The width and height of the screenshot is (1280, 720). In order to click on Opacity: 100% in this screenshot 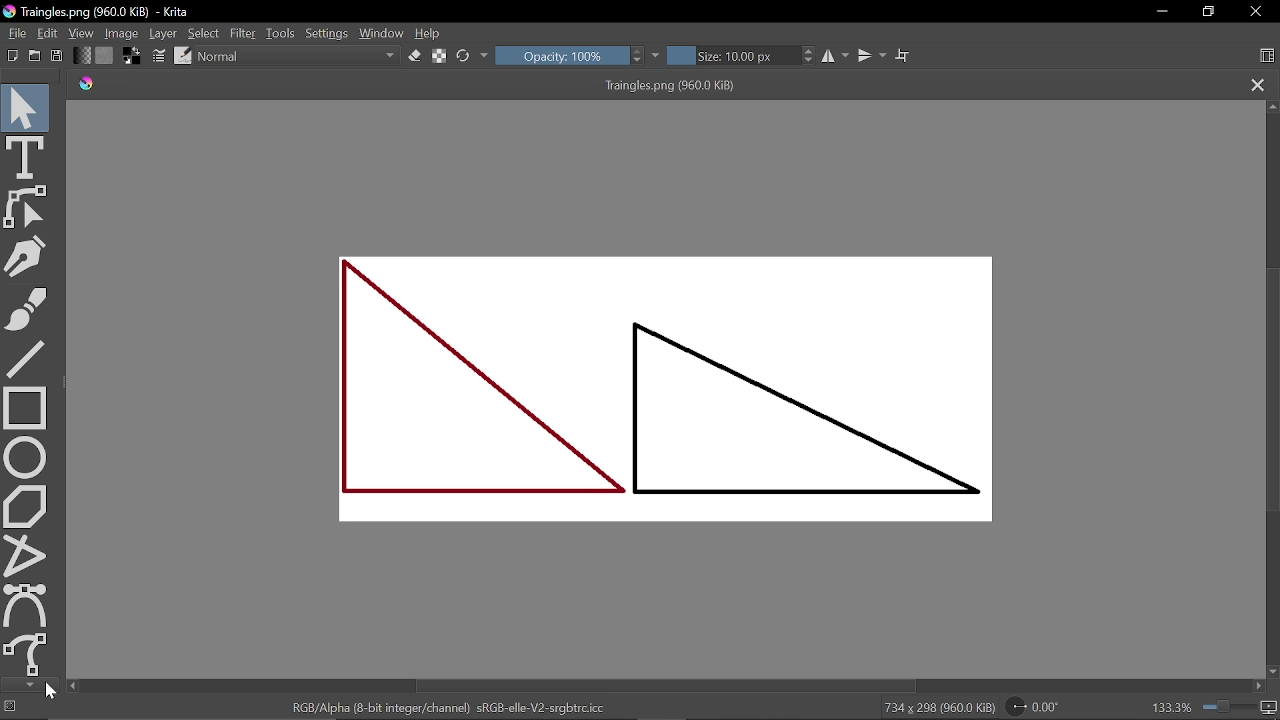, I will do `click(570, 57)`.